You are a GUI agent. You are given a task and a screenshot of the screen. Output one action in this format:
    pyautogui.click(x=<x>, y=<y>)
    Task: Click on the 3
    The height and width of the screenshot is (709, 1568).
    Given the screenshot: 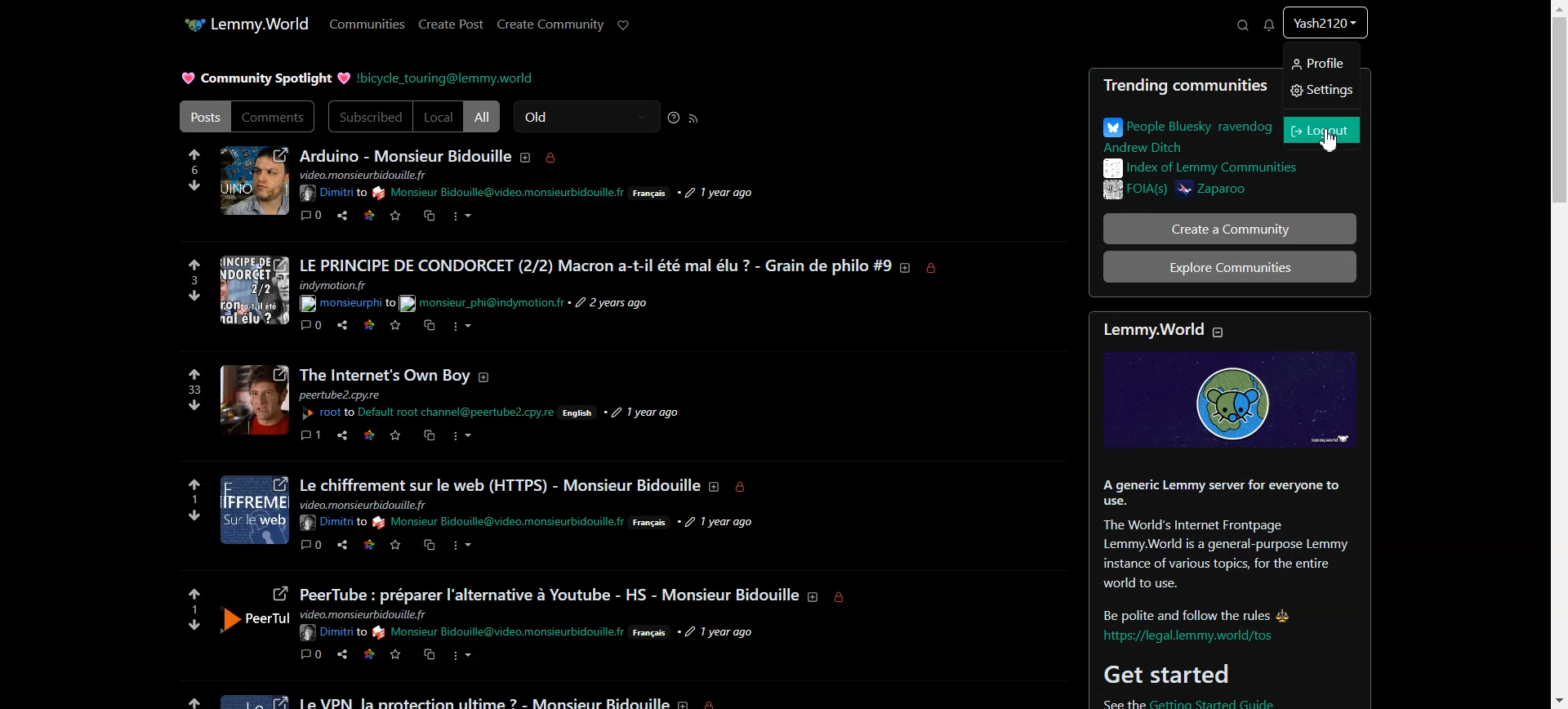 What is the action you would take?
    pyautogui.click(x=184, y=280)
    